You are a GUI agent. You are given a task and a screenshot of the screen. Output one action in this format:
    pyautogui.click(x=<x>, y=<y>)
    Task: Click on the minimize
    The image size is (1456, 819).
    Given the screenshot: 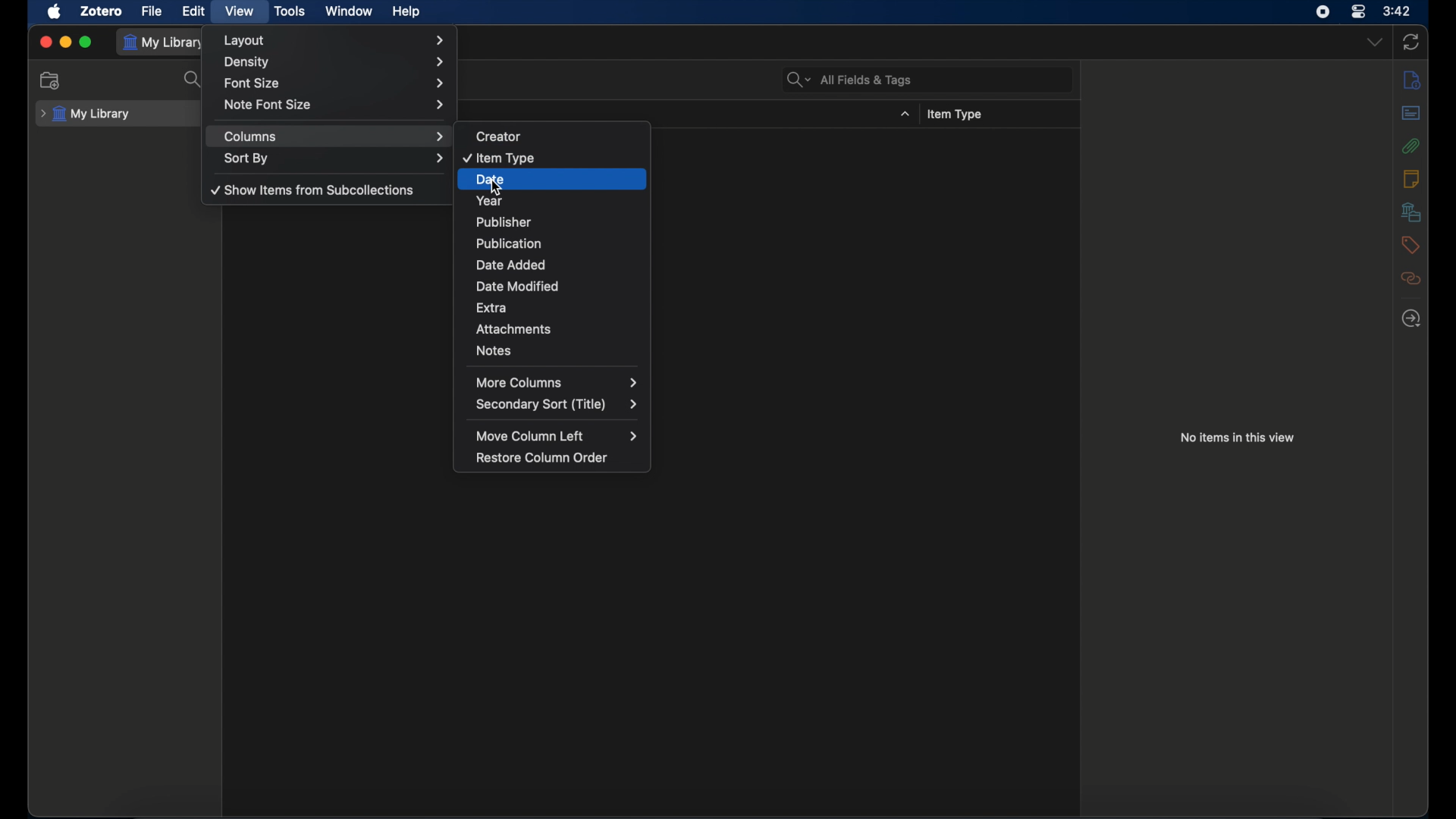 What is the action you would take?
    pyautogui.click(x=65, y=41)
    